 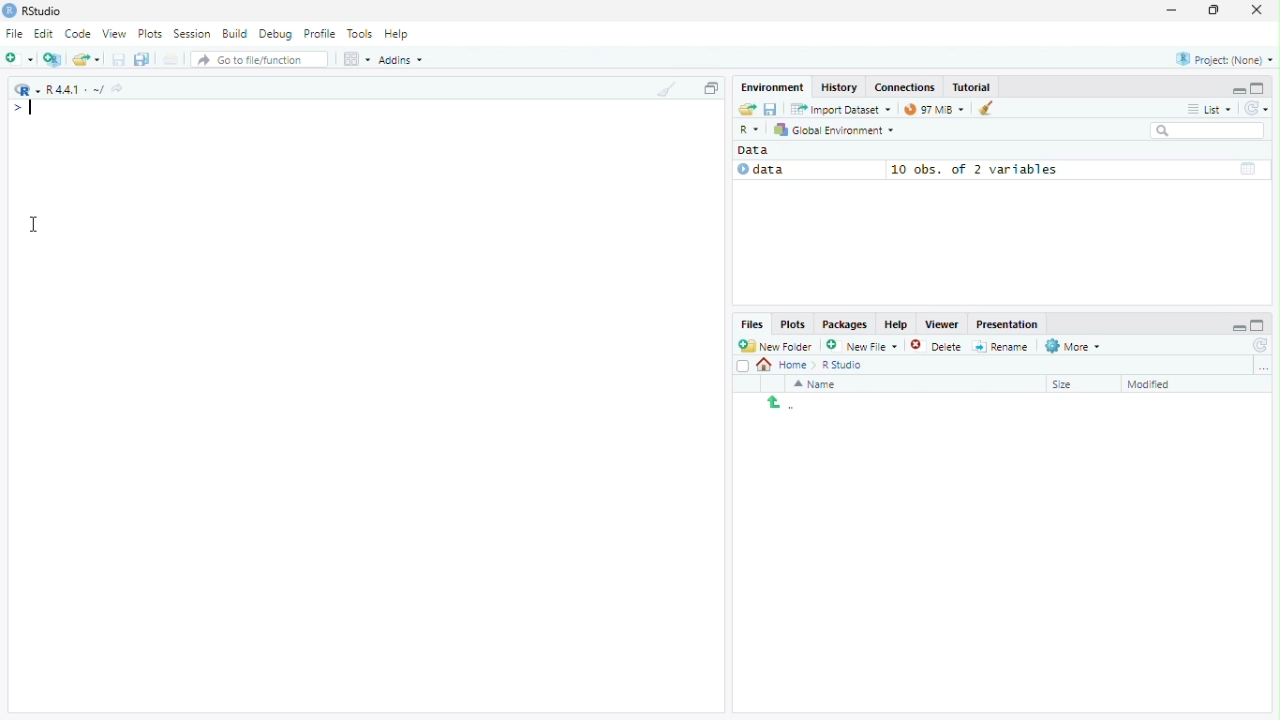 I want to click on help, so click(x=894, y=323).